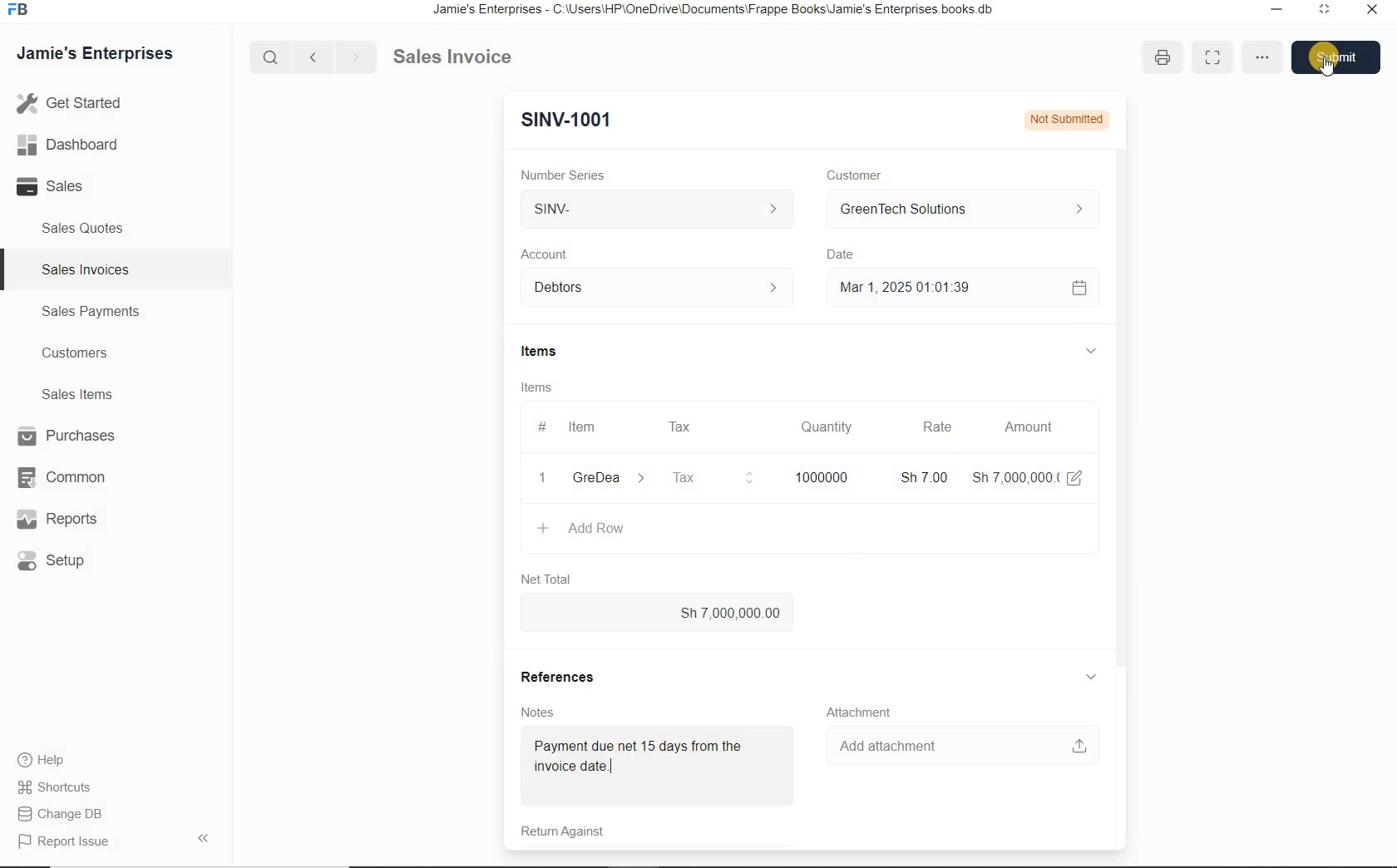  Describe the element at coordinates (1338, 57) in the screenshot. I see `submit` at that location.